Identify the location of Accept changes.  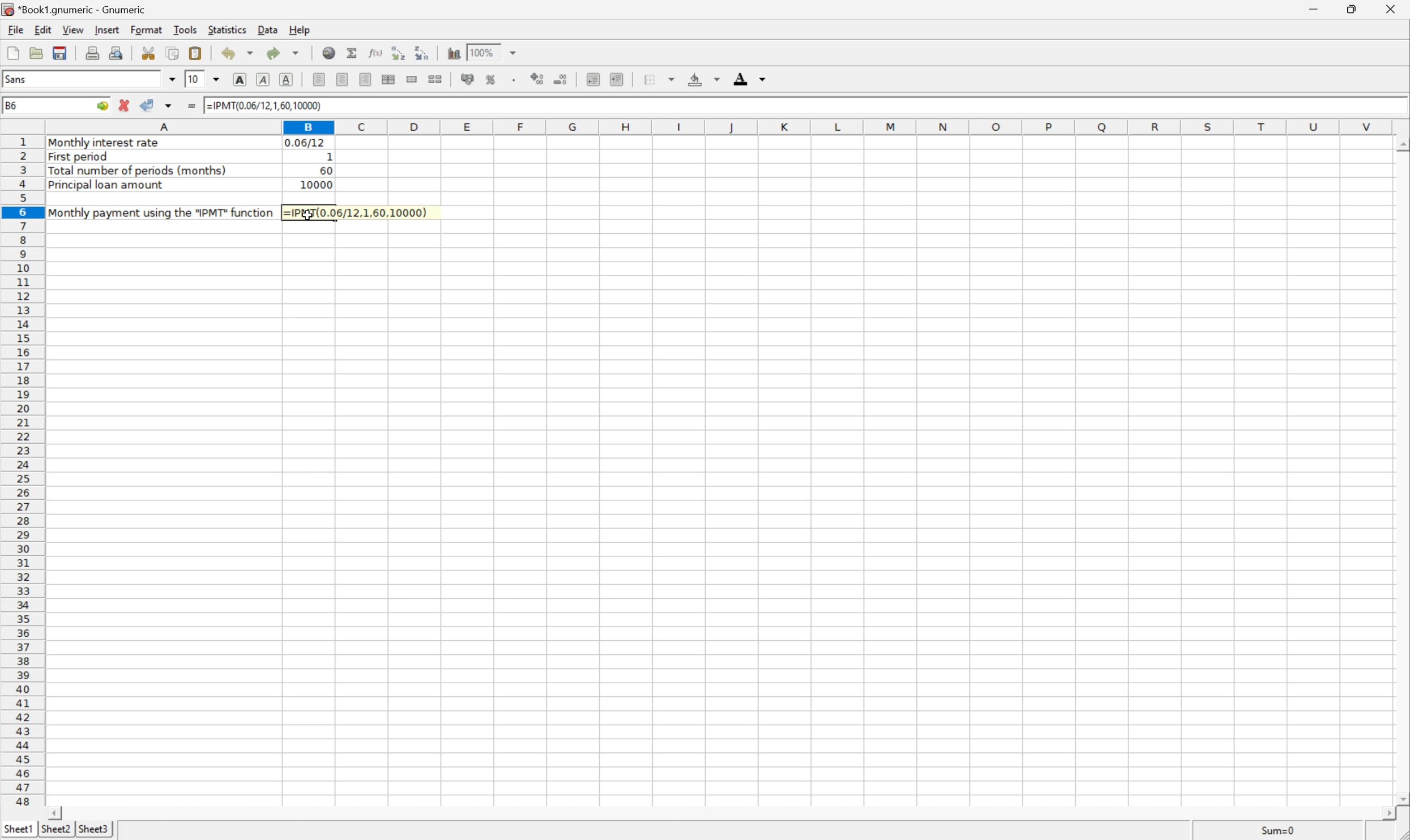
(149, 106).